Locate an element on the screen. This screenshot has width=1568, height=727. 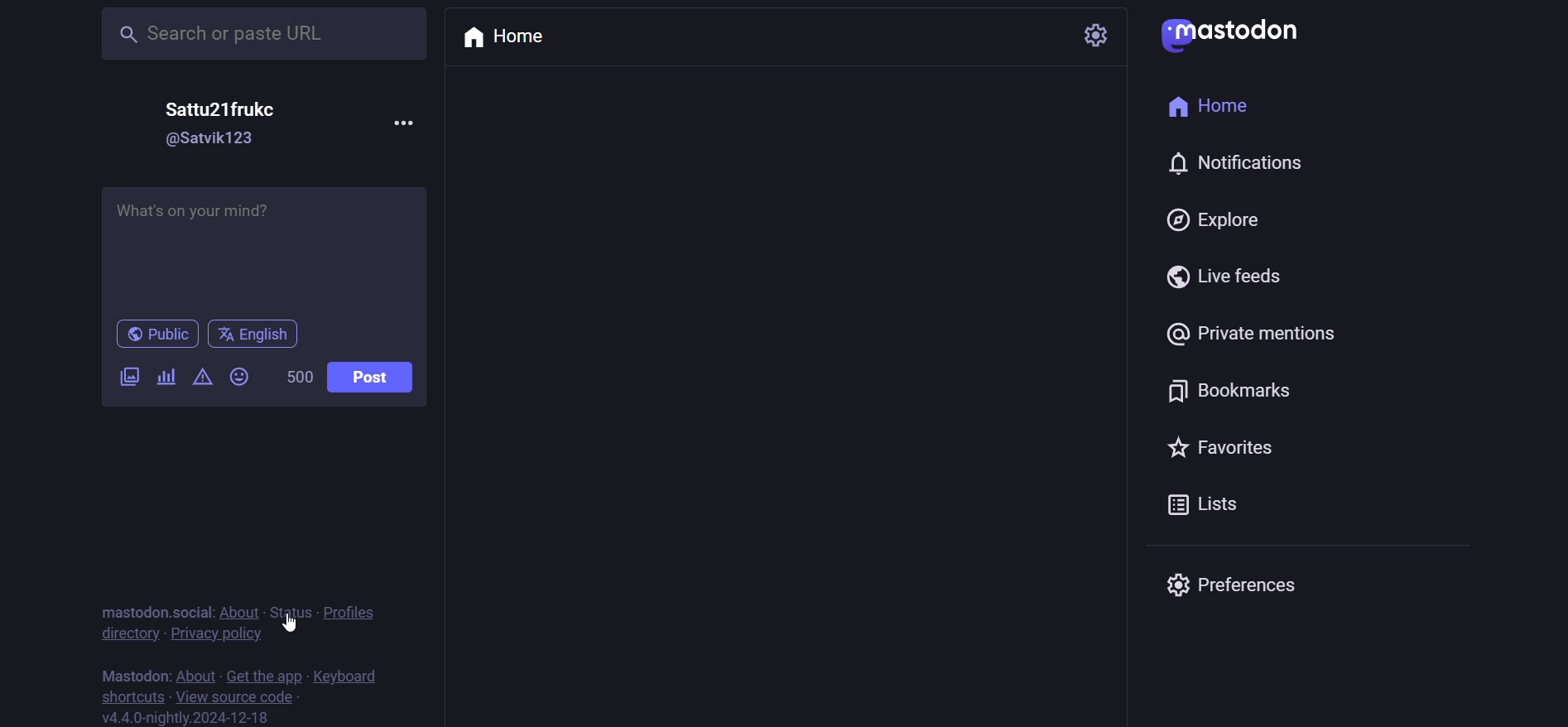
content warning is located at coordinates (199, 375).